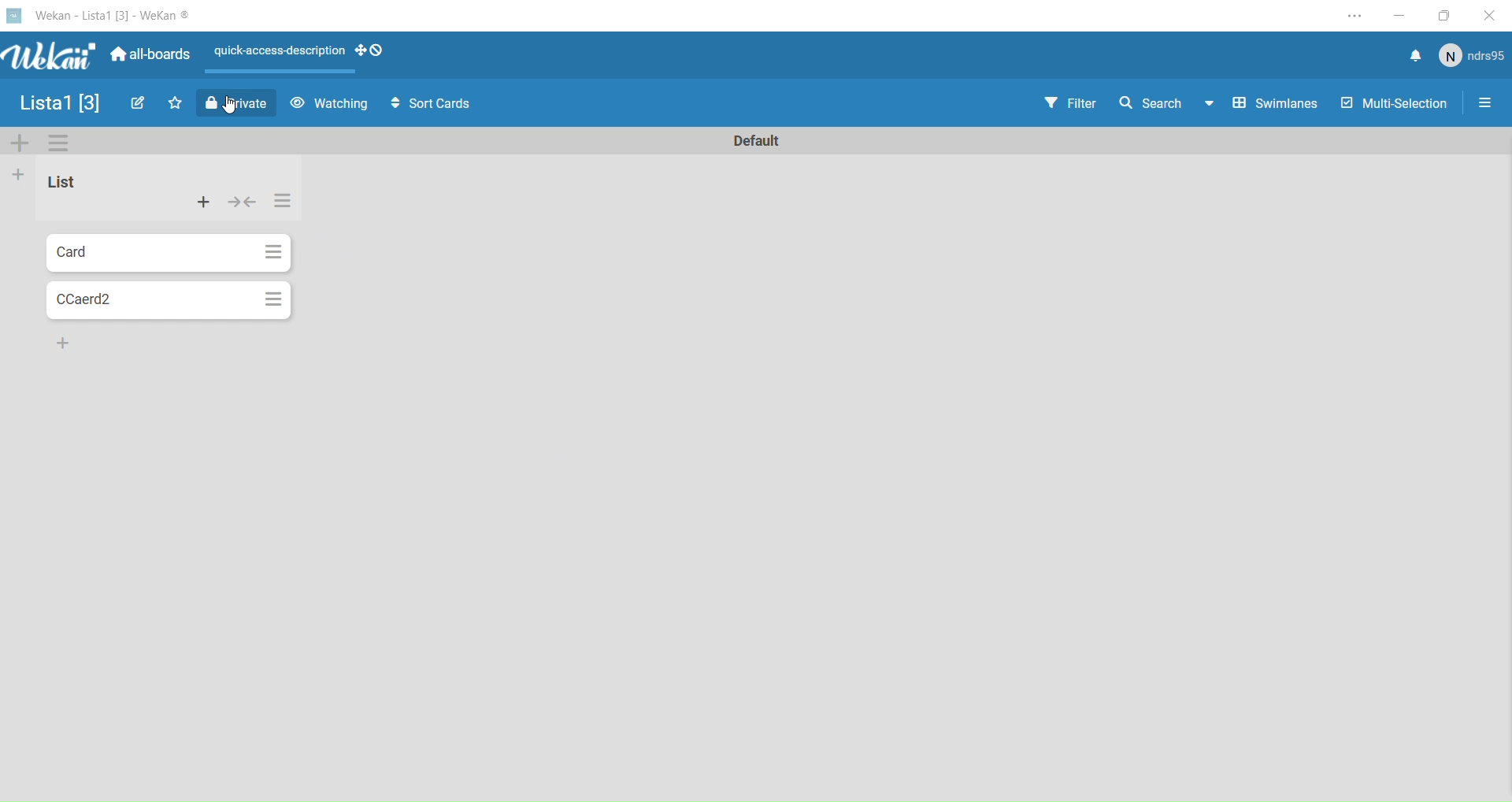  Describe the element at coordinates (237, 105) in the screenshot. I see `Private` at that location.